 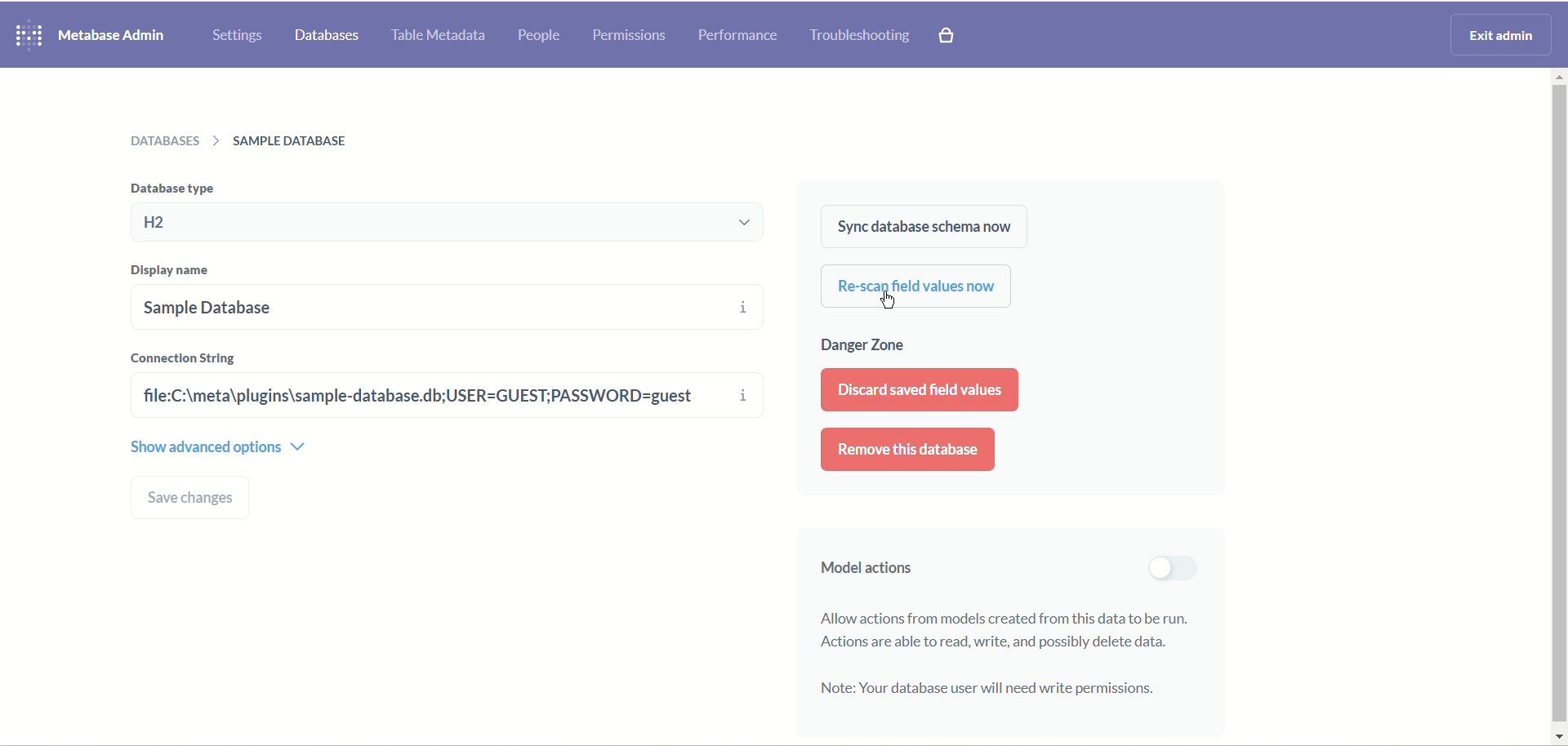 What do you see at coordinates (425, 396) in the screenshot?
I see `connection string` at bounding box center [425, 396].